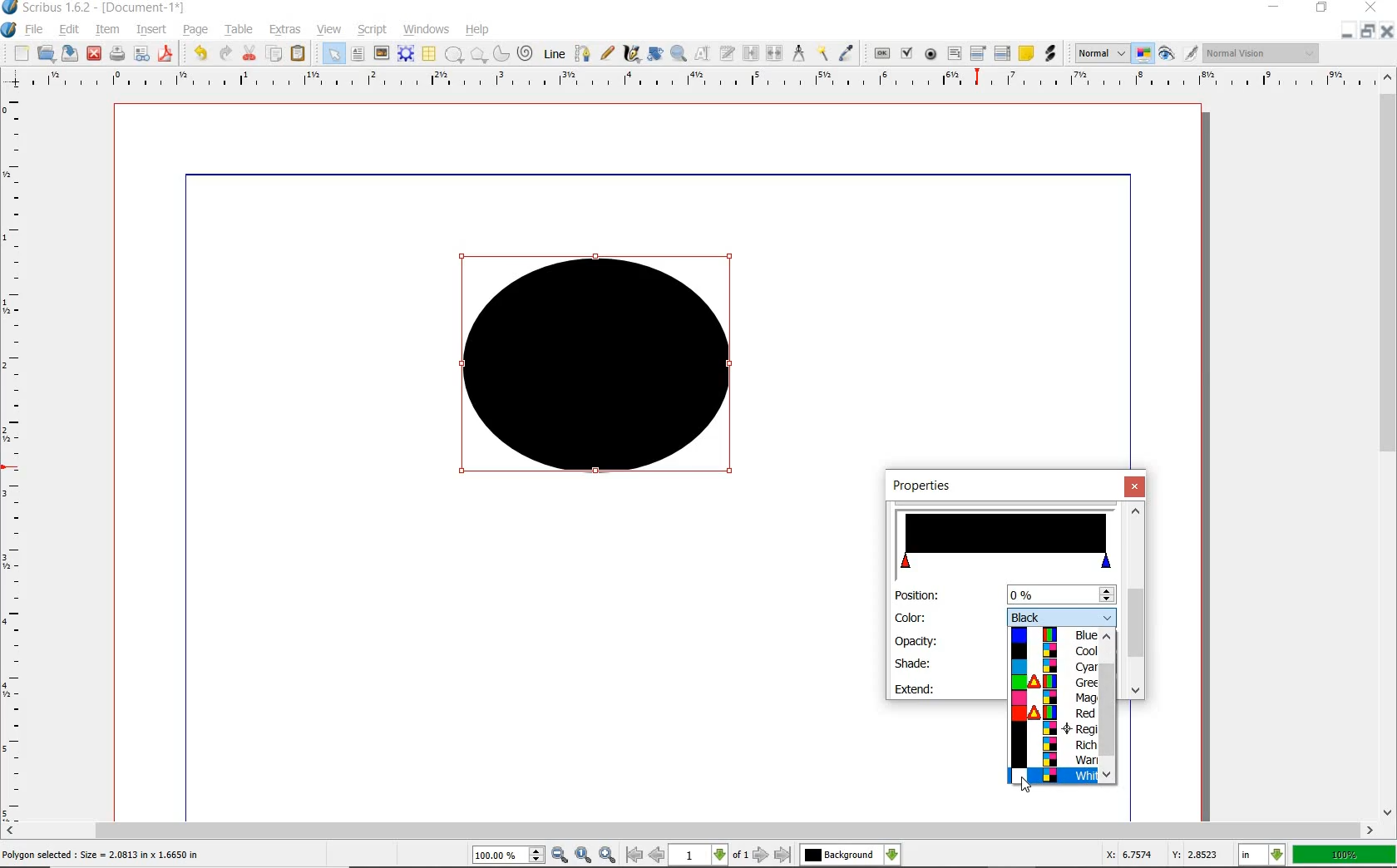 The width and height of the screenshot is (1397, 868). I want to click on previous, so click(658, 855).